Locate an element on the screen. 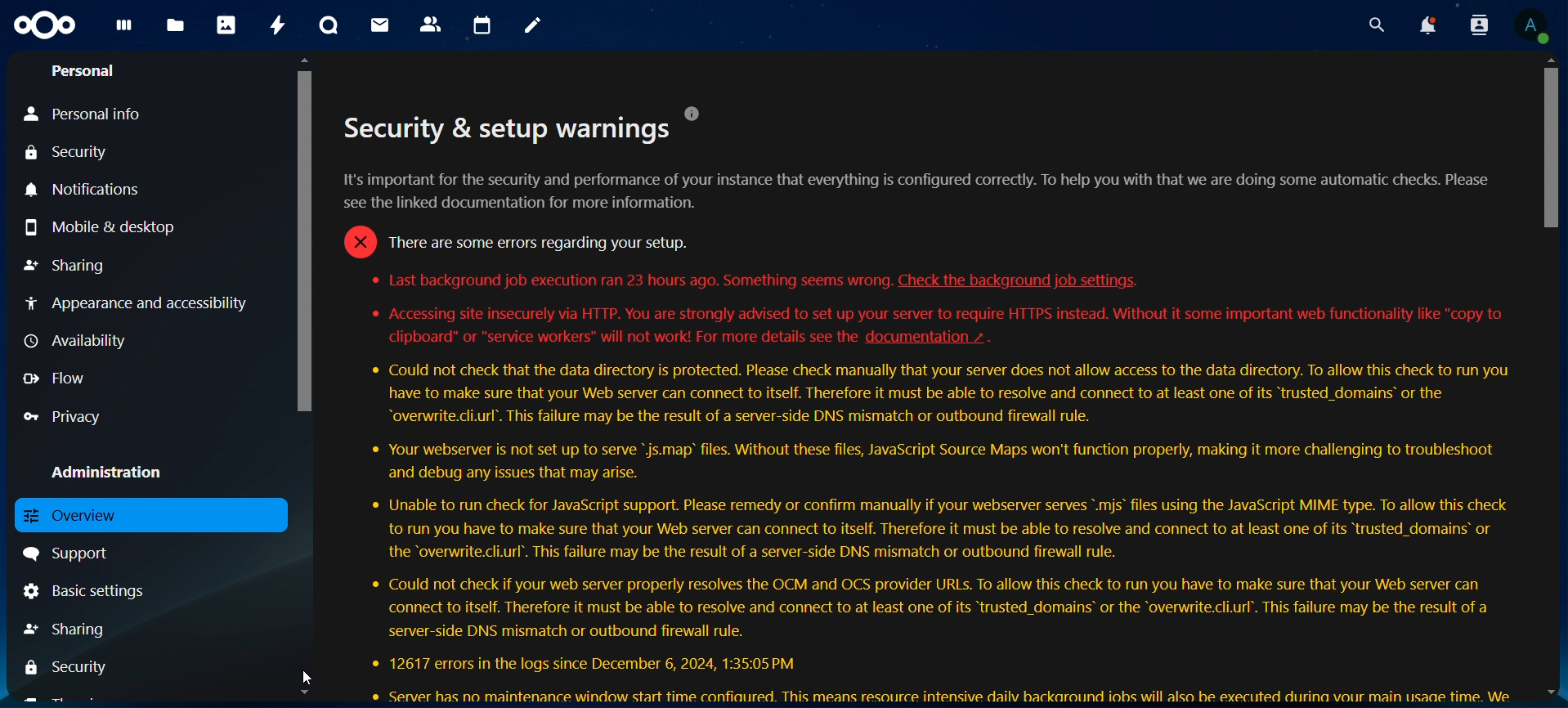  files is located at coordinates (177, 23).